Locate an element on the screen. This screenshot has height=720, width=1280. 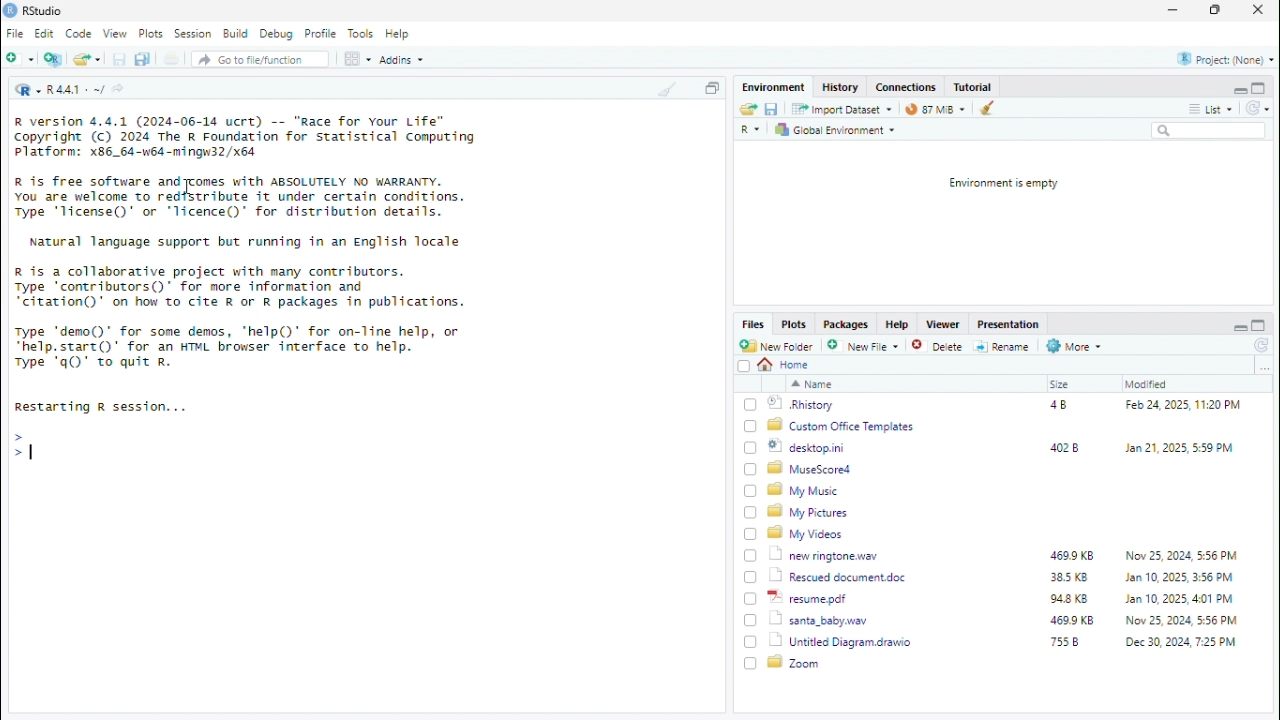
typing indicator is located at coordinates (35, 452).